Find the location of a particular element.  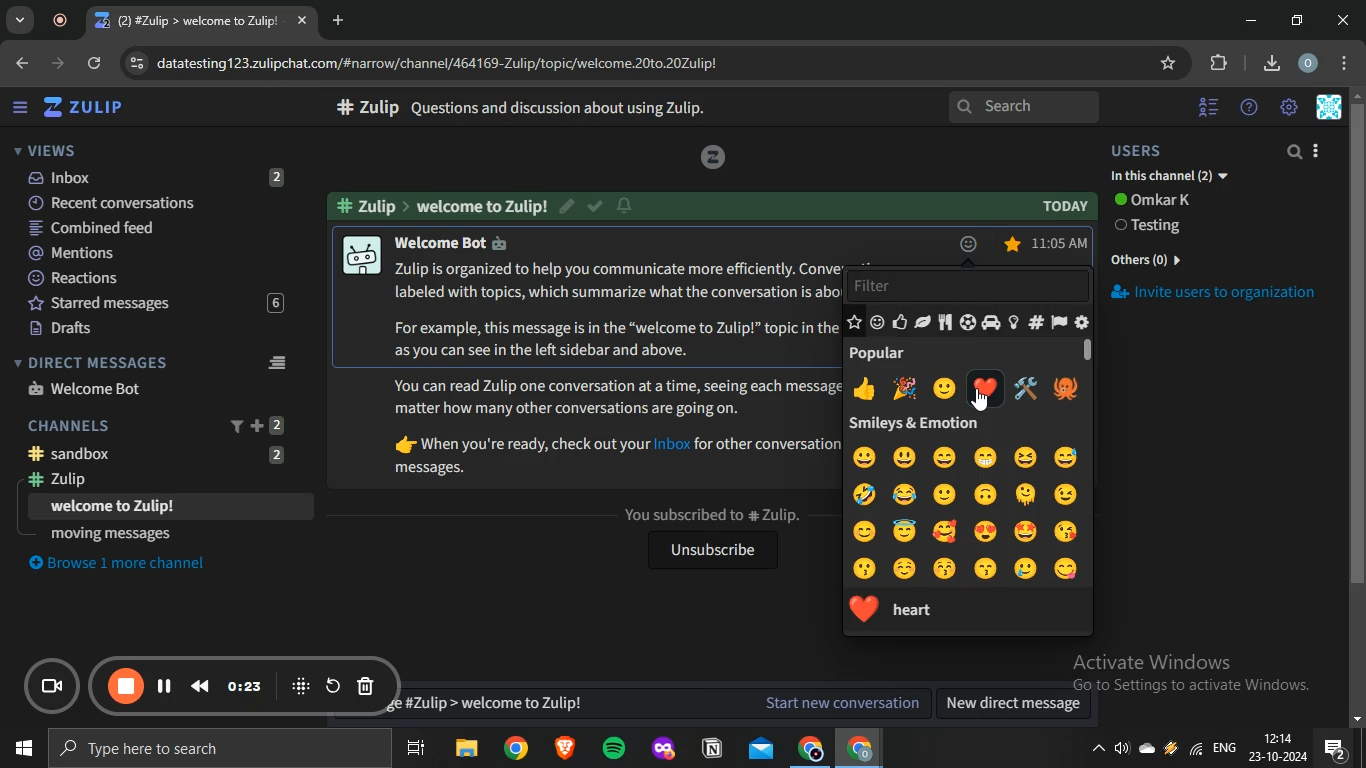

heart is located at coordinates (983, 388).